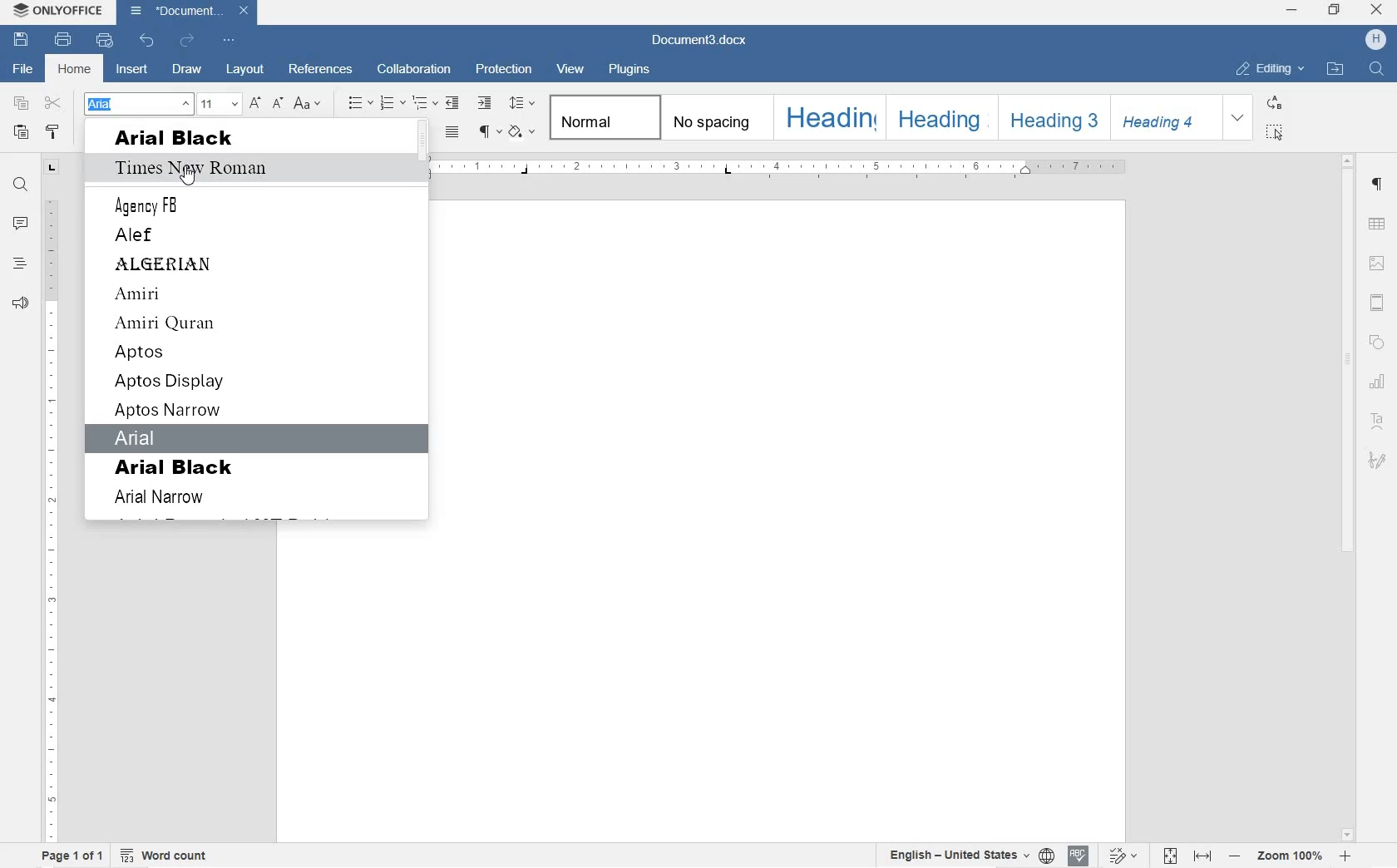  What do you see at coordinates (173, 382) in the screenshot?
I see `aptos display` at bounding box center [173, 382].